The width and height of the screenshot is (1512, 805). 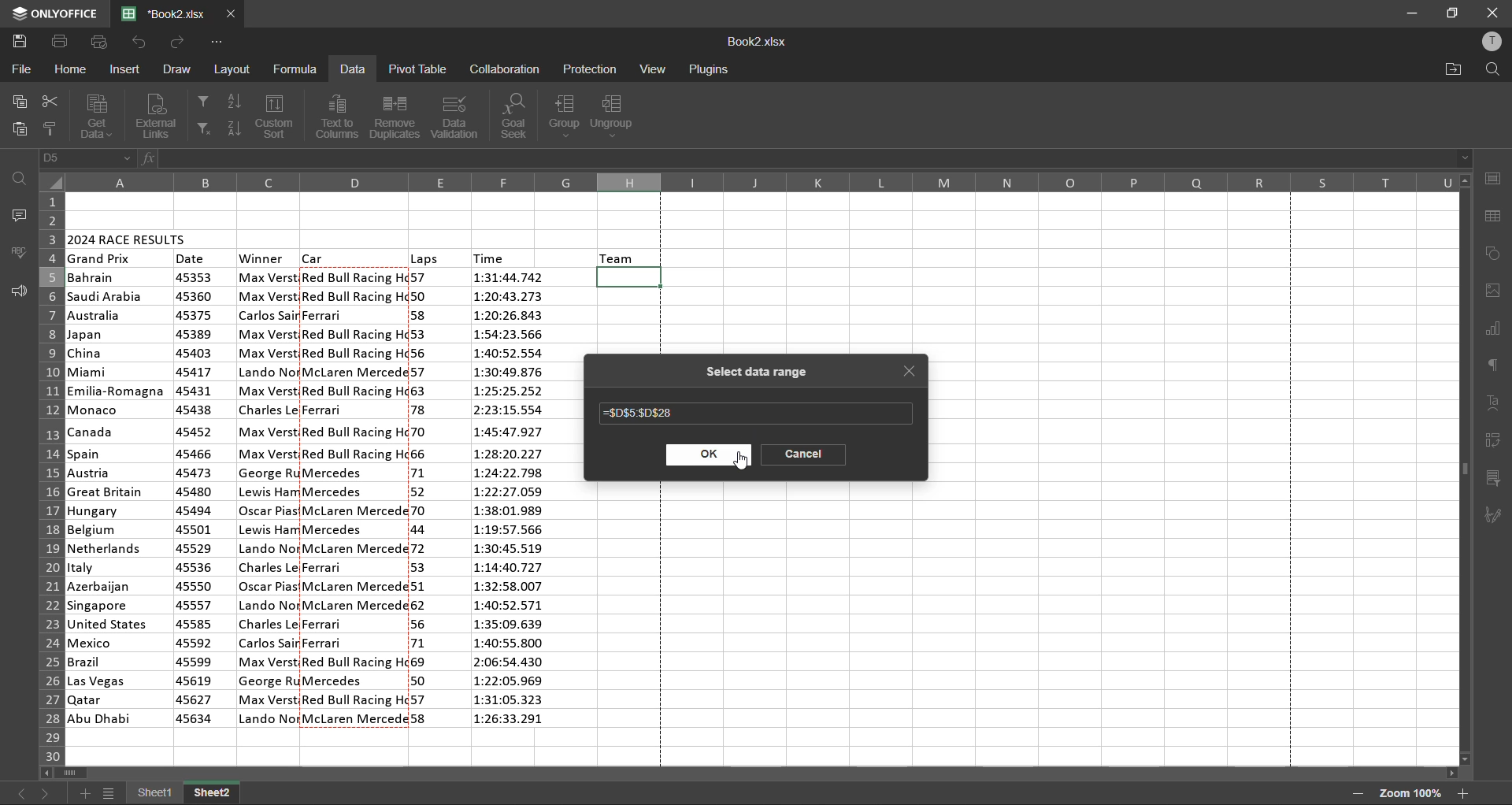 What do you see at coordinates (422, 500) in the screenshot?
I see `laps` at bounding box center [422, 500].